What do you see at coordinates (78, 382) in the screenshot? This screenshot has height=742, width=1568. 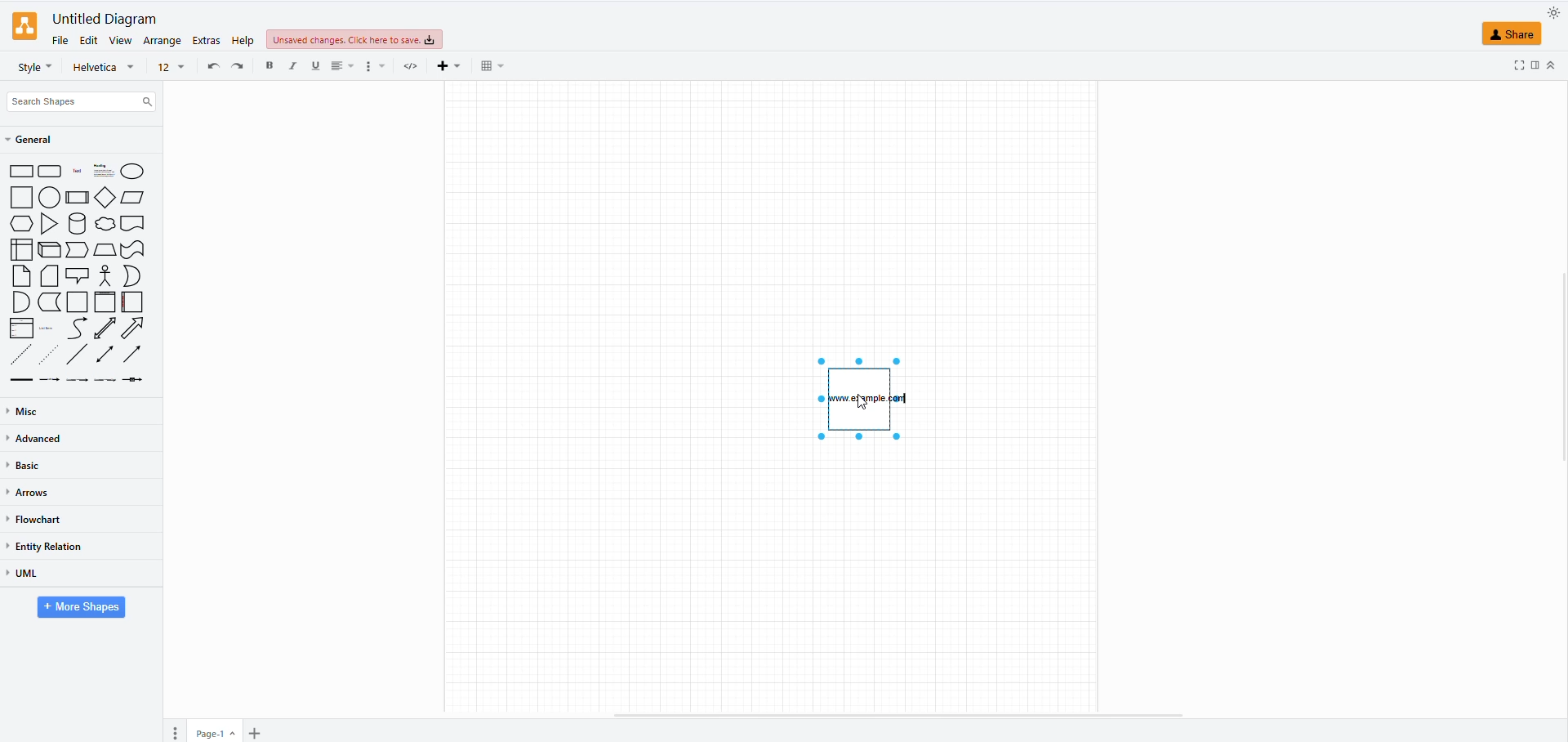 I see `connector with 2 labels` at bounding box center [78, 382].